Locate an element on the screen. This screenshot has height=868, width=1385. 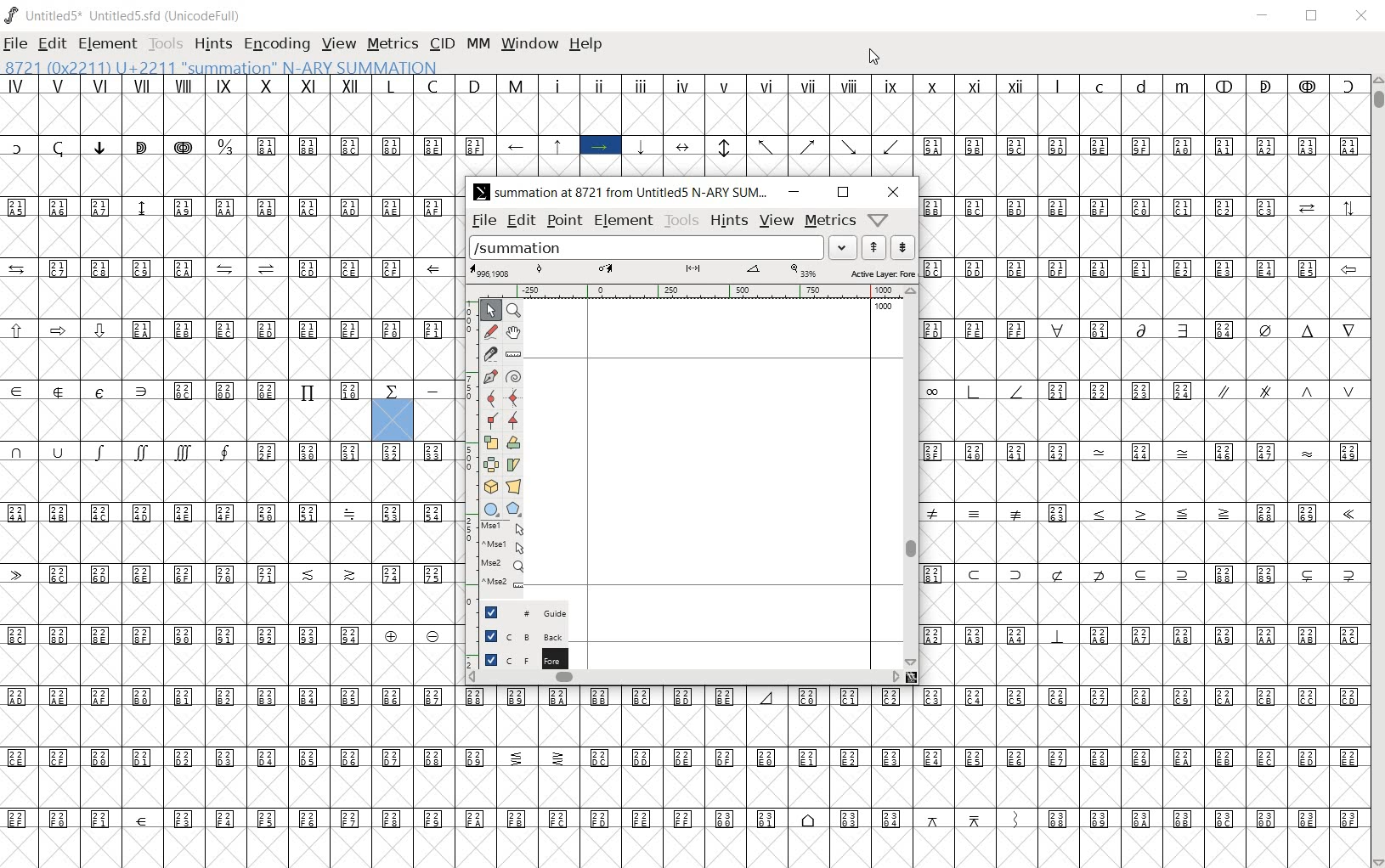
RESTORE DWON is located at coordinates (1312, 17).